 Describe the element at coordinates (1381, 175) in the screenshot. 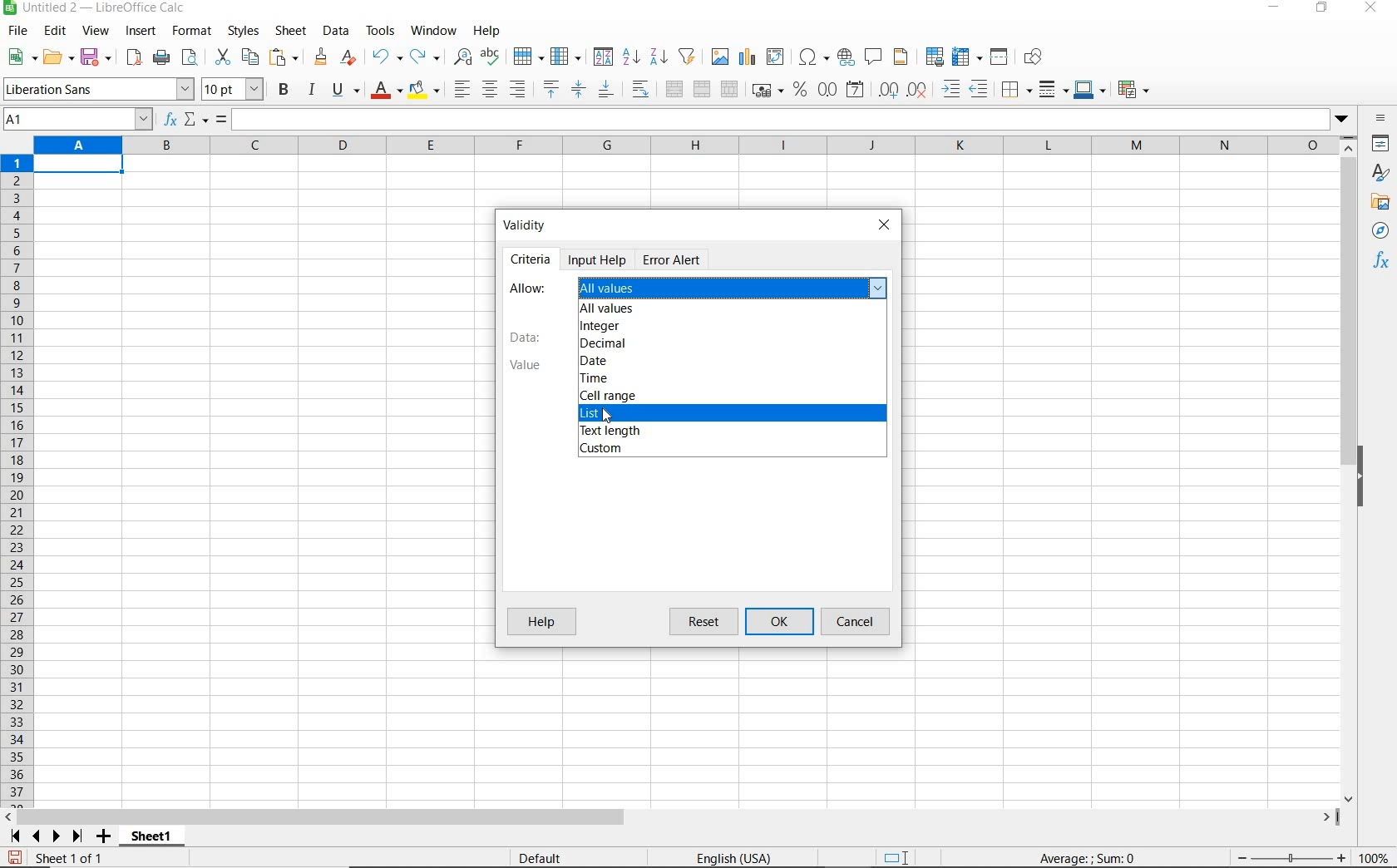

I see `styles` at that location.